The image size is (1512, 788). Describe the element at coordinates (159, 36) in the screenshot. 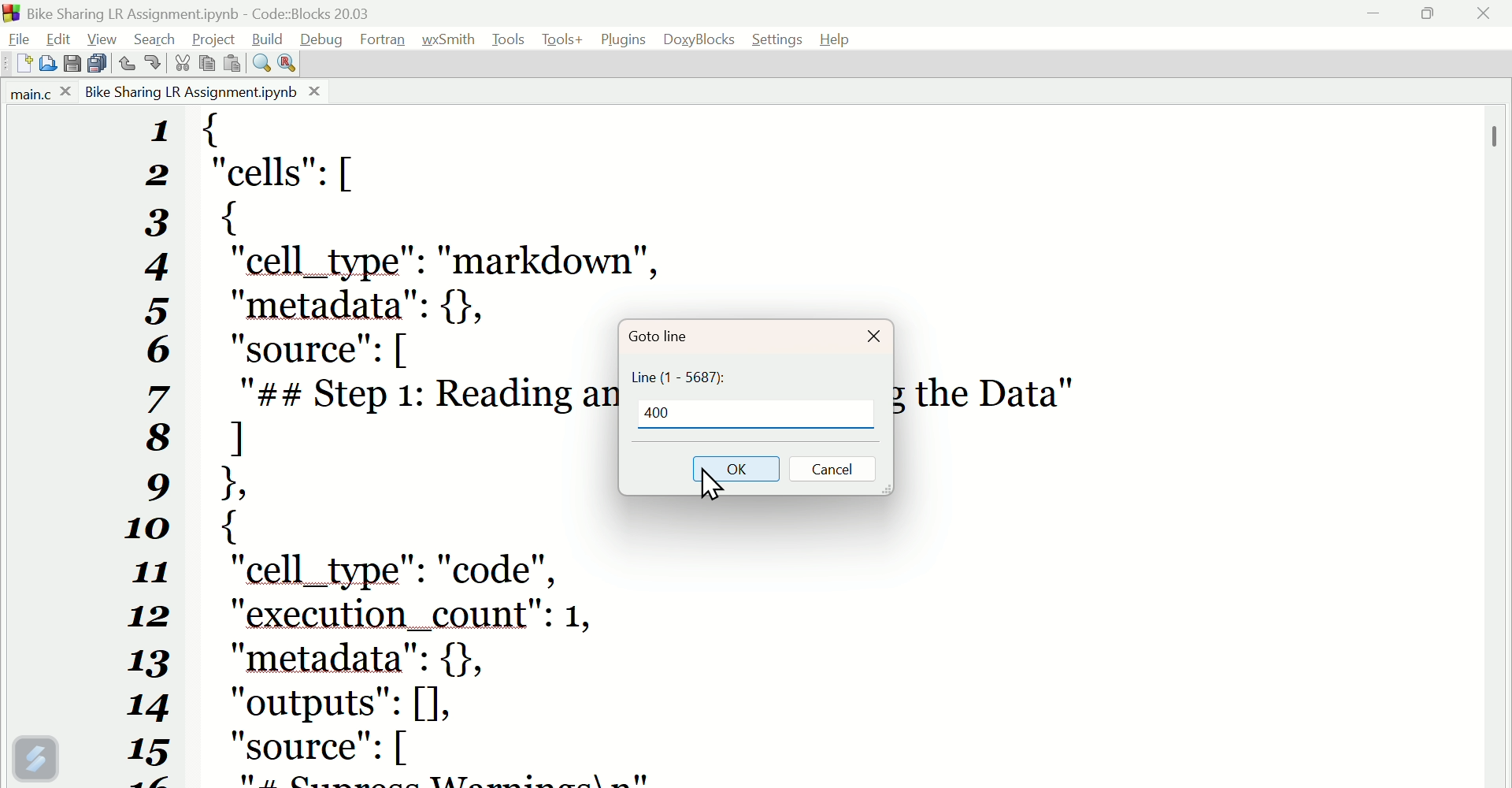

I see `Search` at that location.